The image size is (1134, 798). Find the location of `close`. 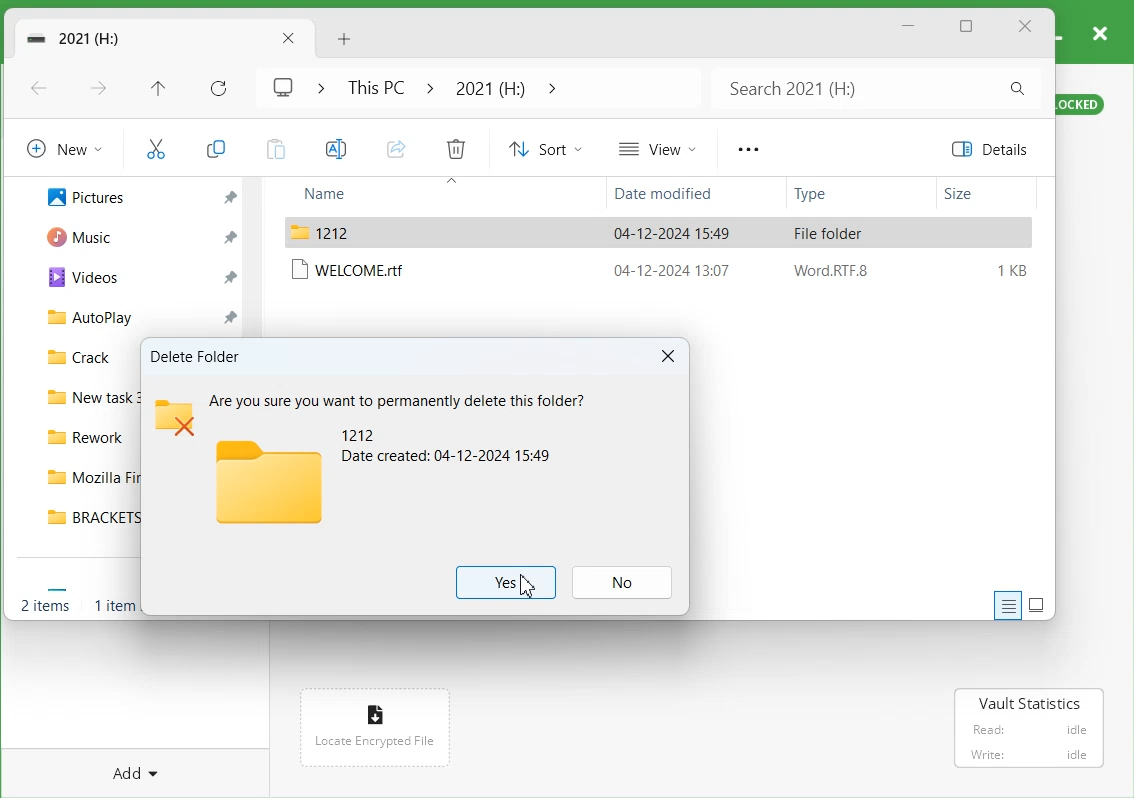

close is located at coordinates (1101, 31).